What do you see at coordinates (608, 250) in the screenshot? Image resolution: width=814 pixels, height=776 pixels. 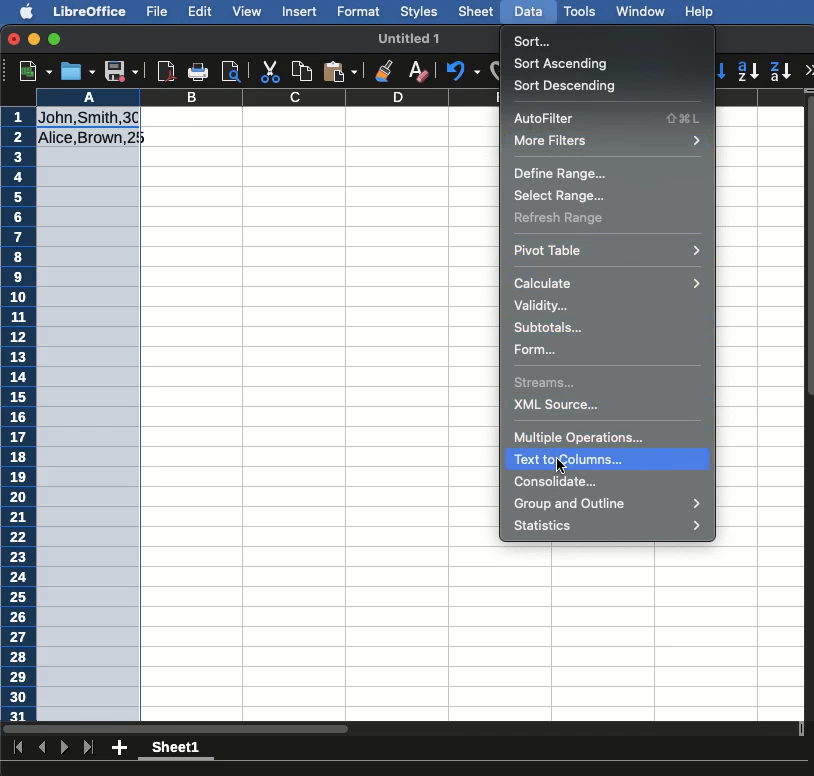 I see `Pivot table` at bounding box center [608, 250].